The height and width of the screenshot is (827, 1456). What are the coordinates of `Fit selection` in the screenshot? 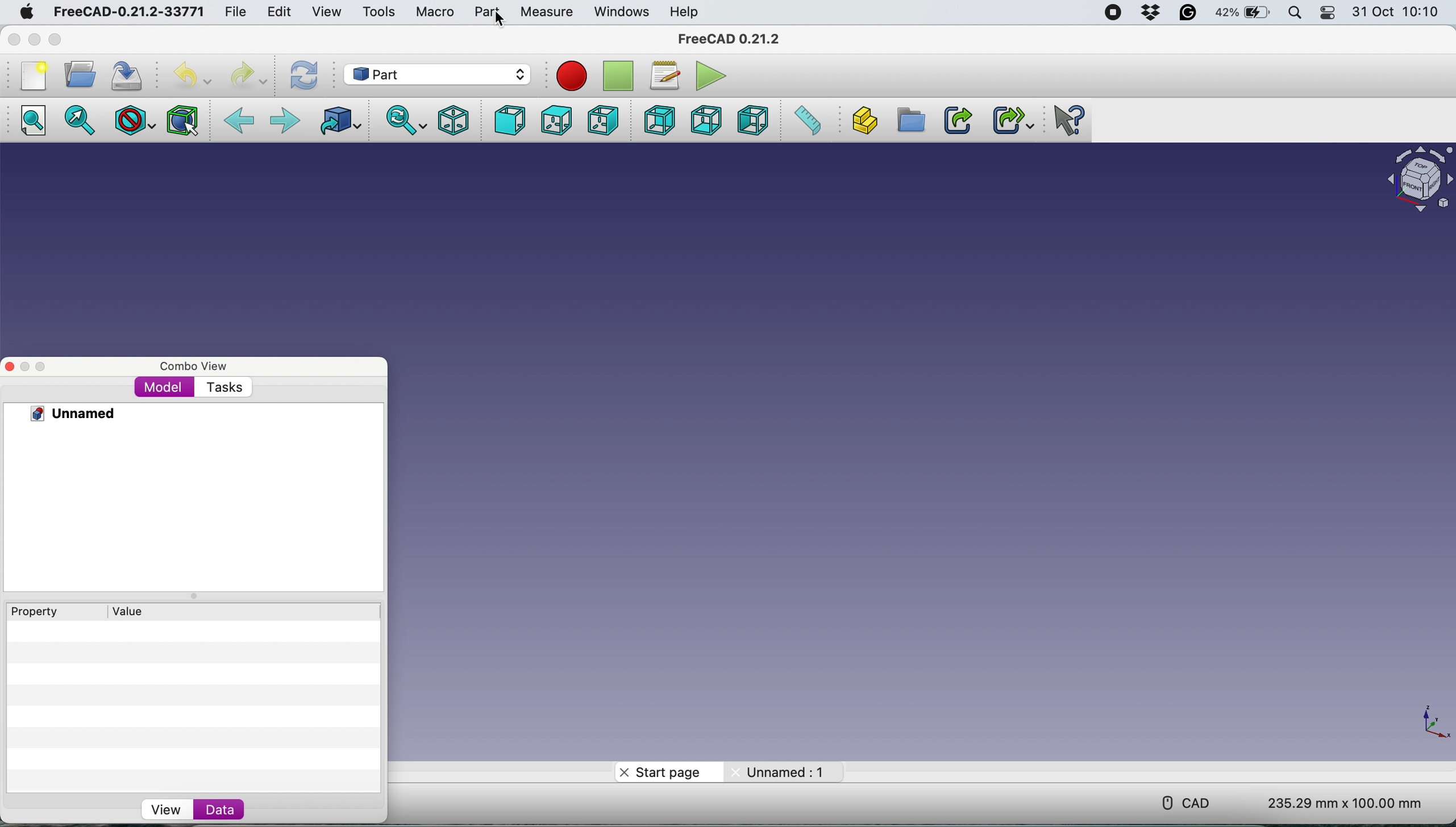 It's located at (76, 119).